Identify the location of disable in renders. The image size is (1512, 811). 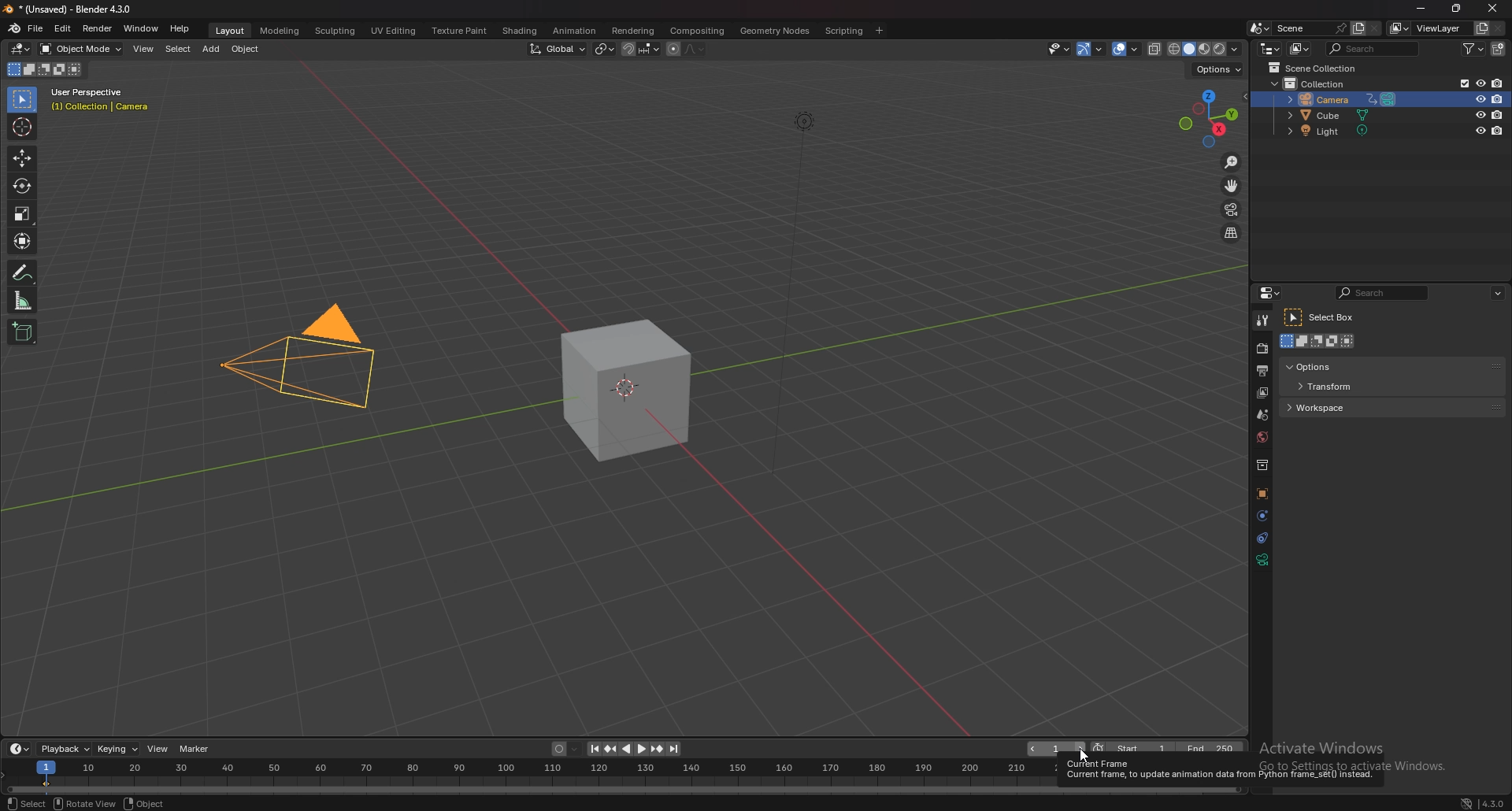
(1499, 83).